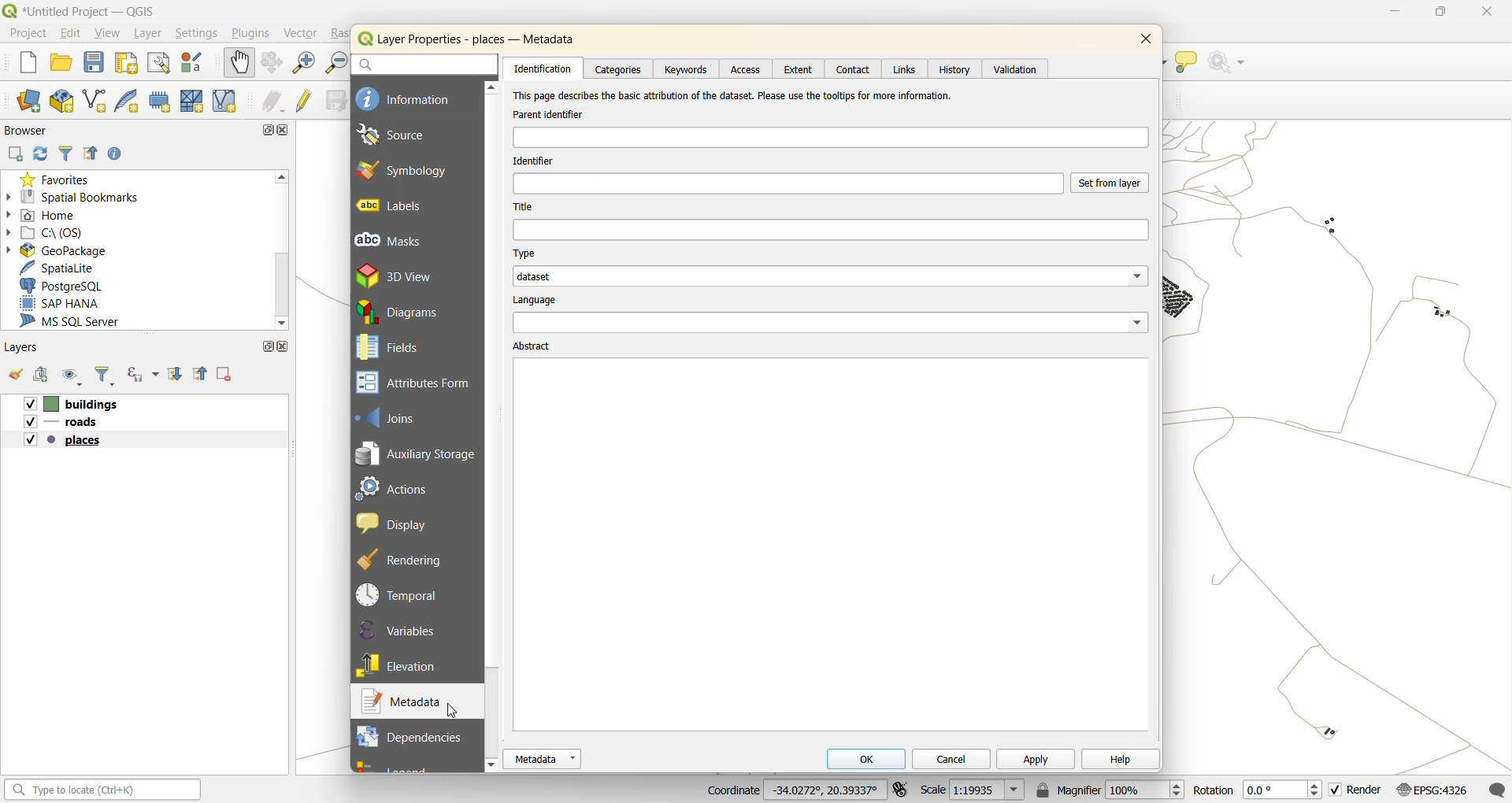 The height and width of the screenshot is (803, 1512). Describe the element at coordinates (52, 215) in the screenshot. I see `home` at that location.